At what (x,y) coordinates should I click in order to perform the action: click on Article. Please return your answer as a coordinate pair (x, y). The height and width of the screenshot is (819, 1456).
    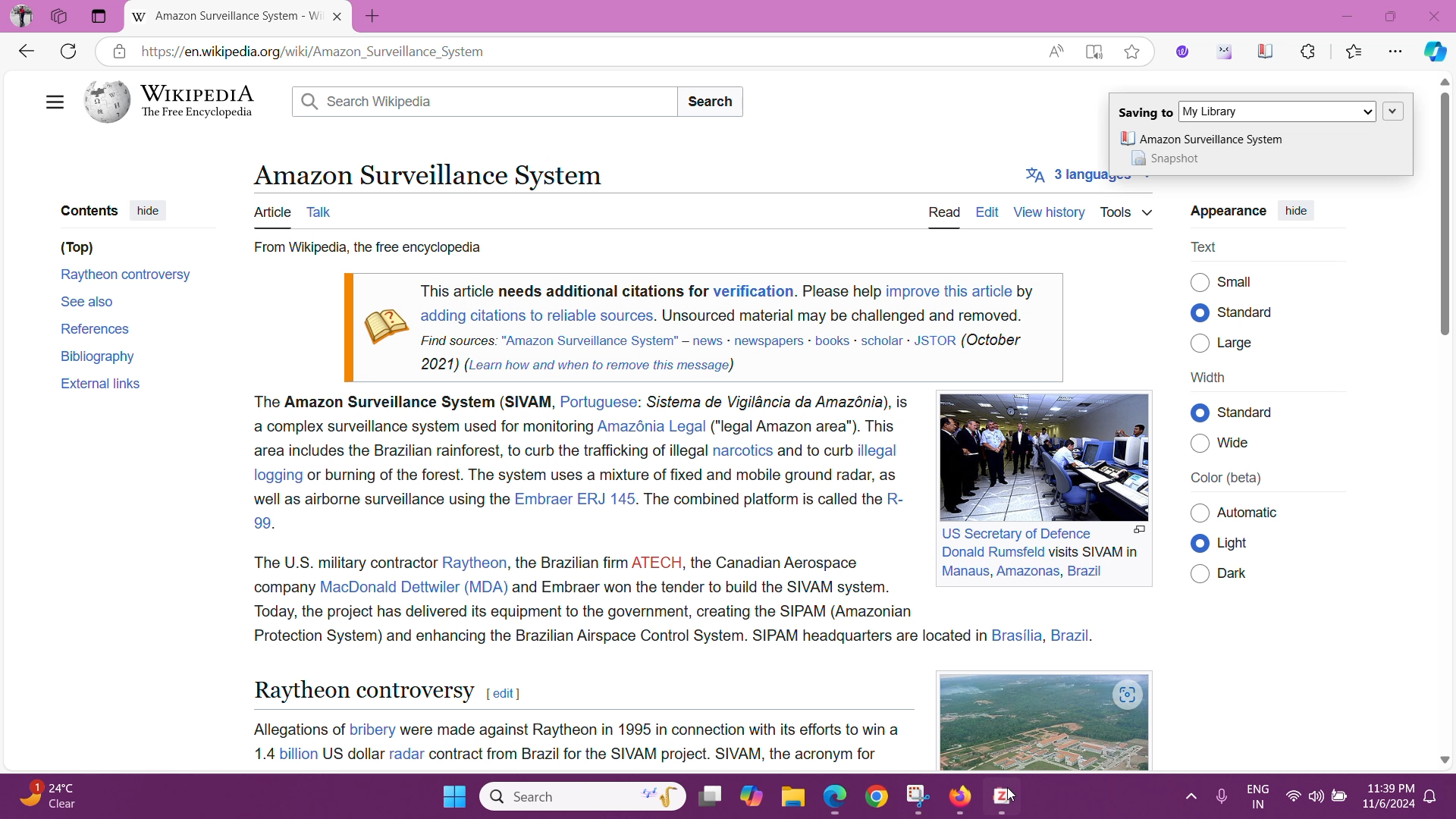
    Looking at the image, I should click on (271, 213).